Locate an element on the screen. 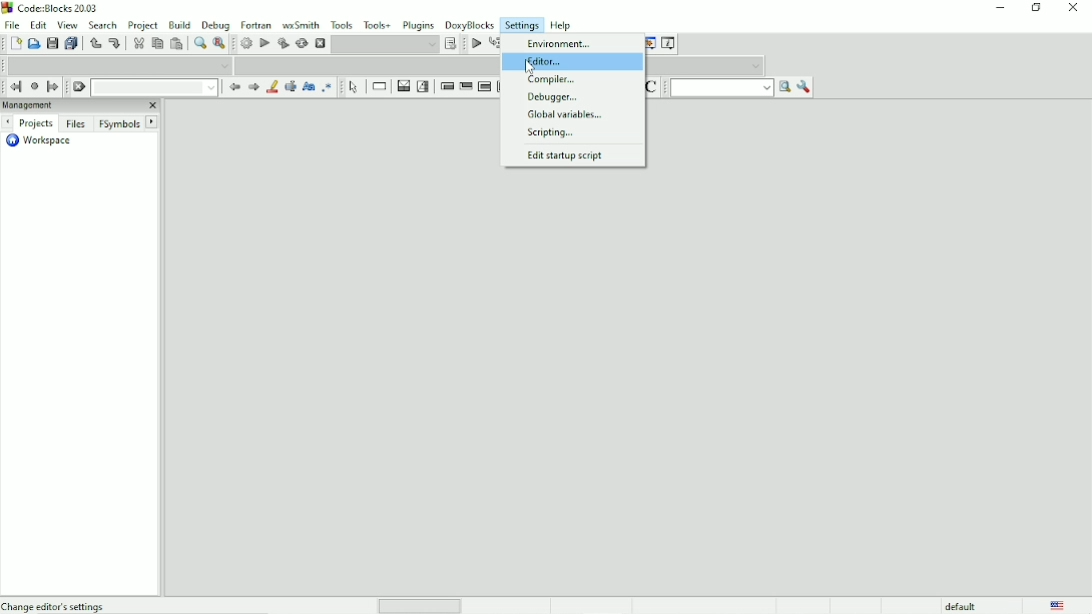 The height and width of the screenshot is (614, 1092). Build and run is located at coordinates (282, 43).